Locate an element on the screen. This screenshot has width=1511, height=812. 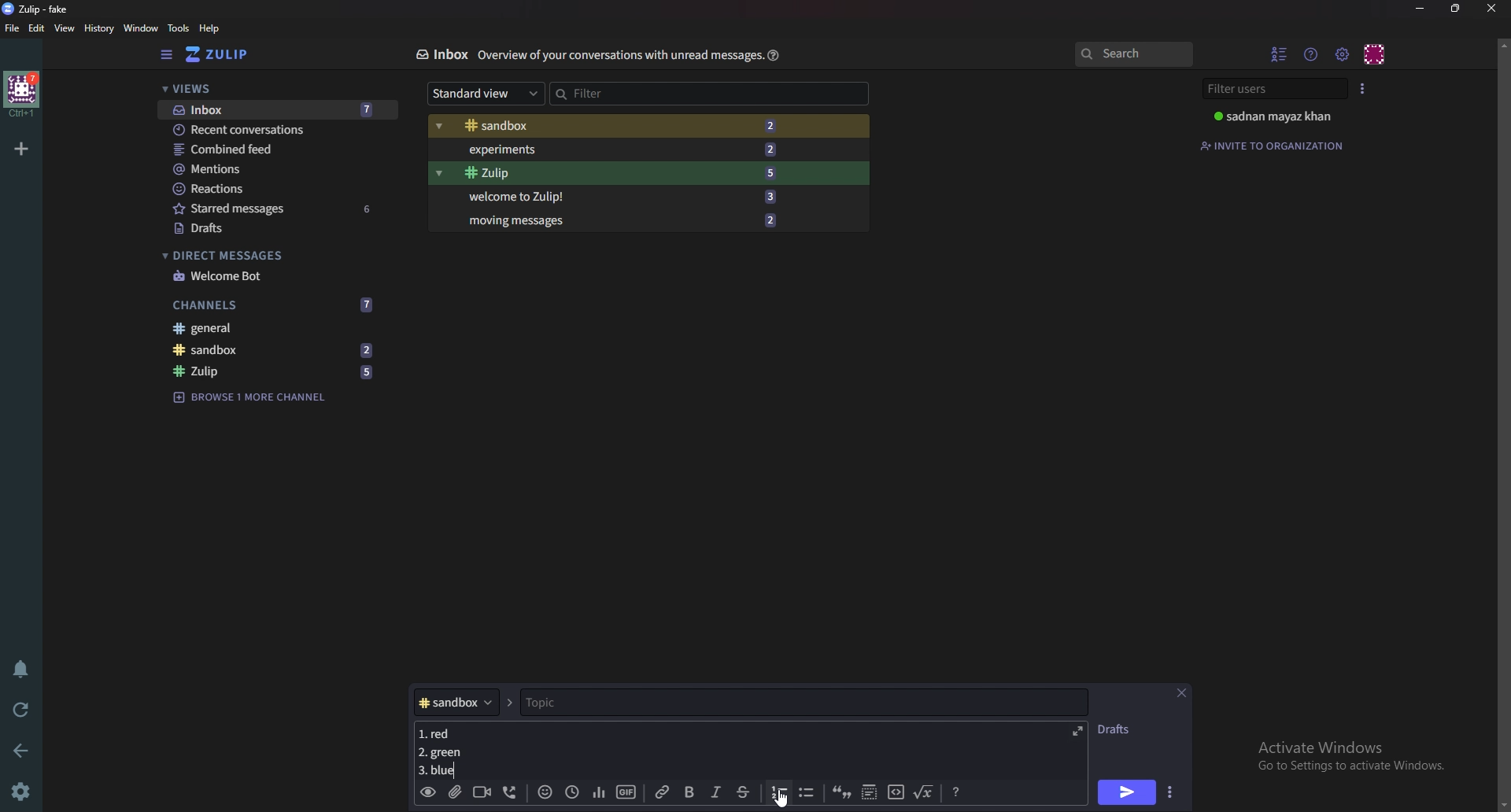
Spoiler is located at coordinates (867, 794).